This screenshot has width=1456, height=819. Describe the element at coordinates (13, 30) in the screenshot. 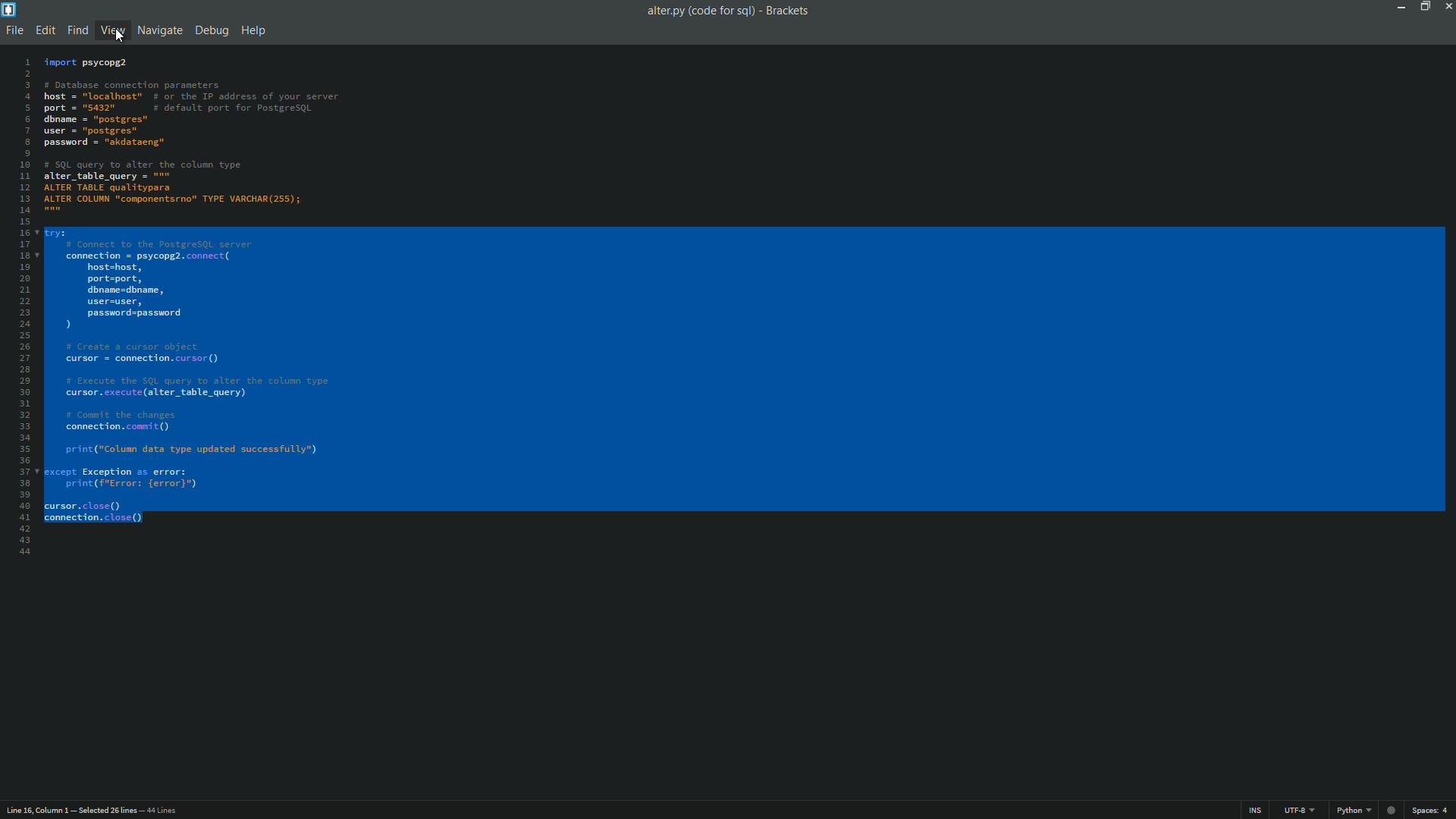

I see `file menu` at that location.